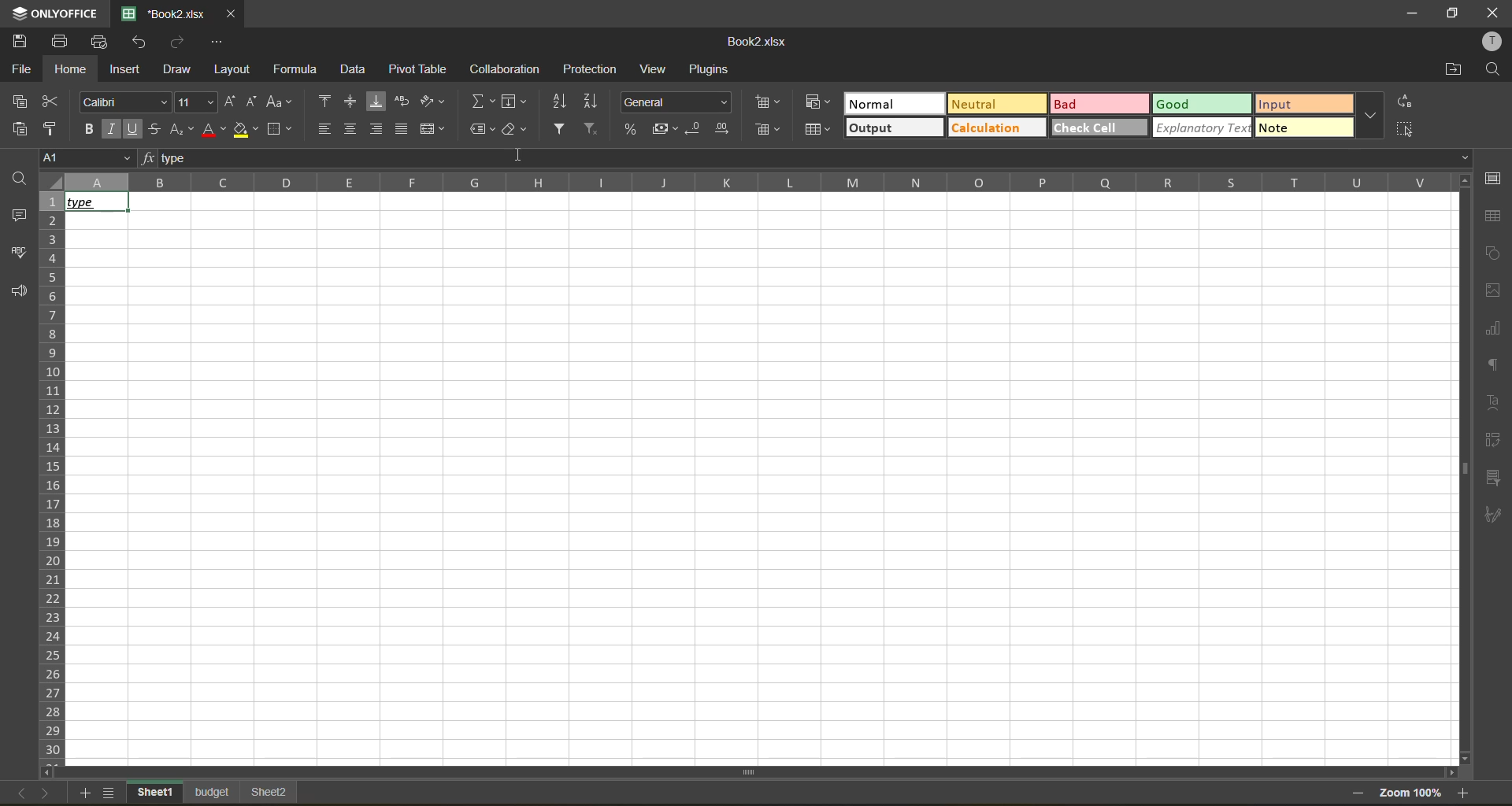 The image size is (1512, 806). I want to click on neutral, so click(996, 102).